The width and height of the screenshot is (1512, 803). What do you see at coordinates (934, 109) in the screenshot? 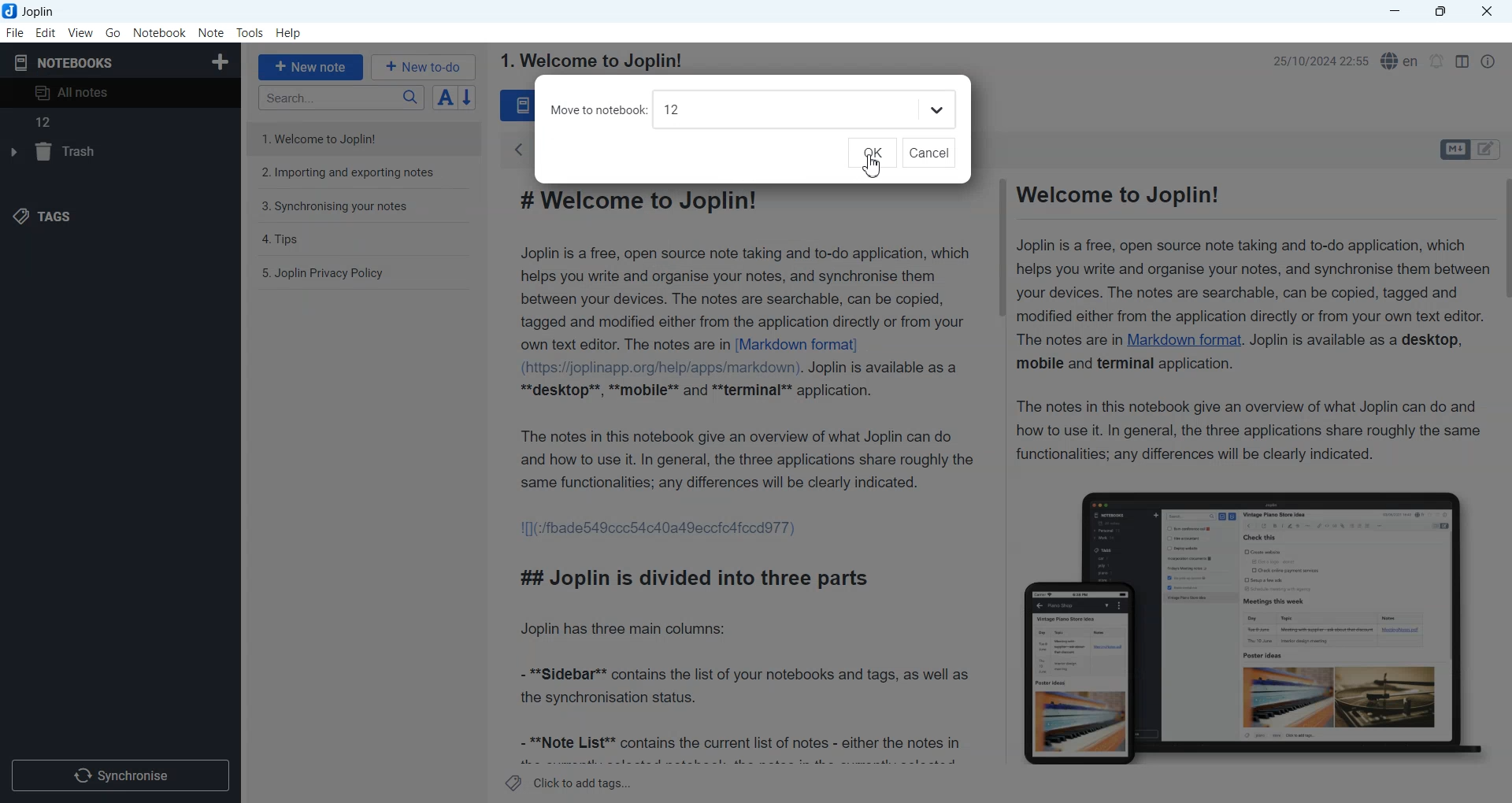
I see `Dropdown book for select file` at bounding box center [934, 109].